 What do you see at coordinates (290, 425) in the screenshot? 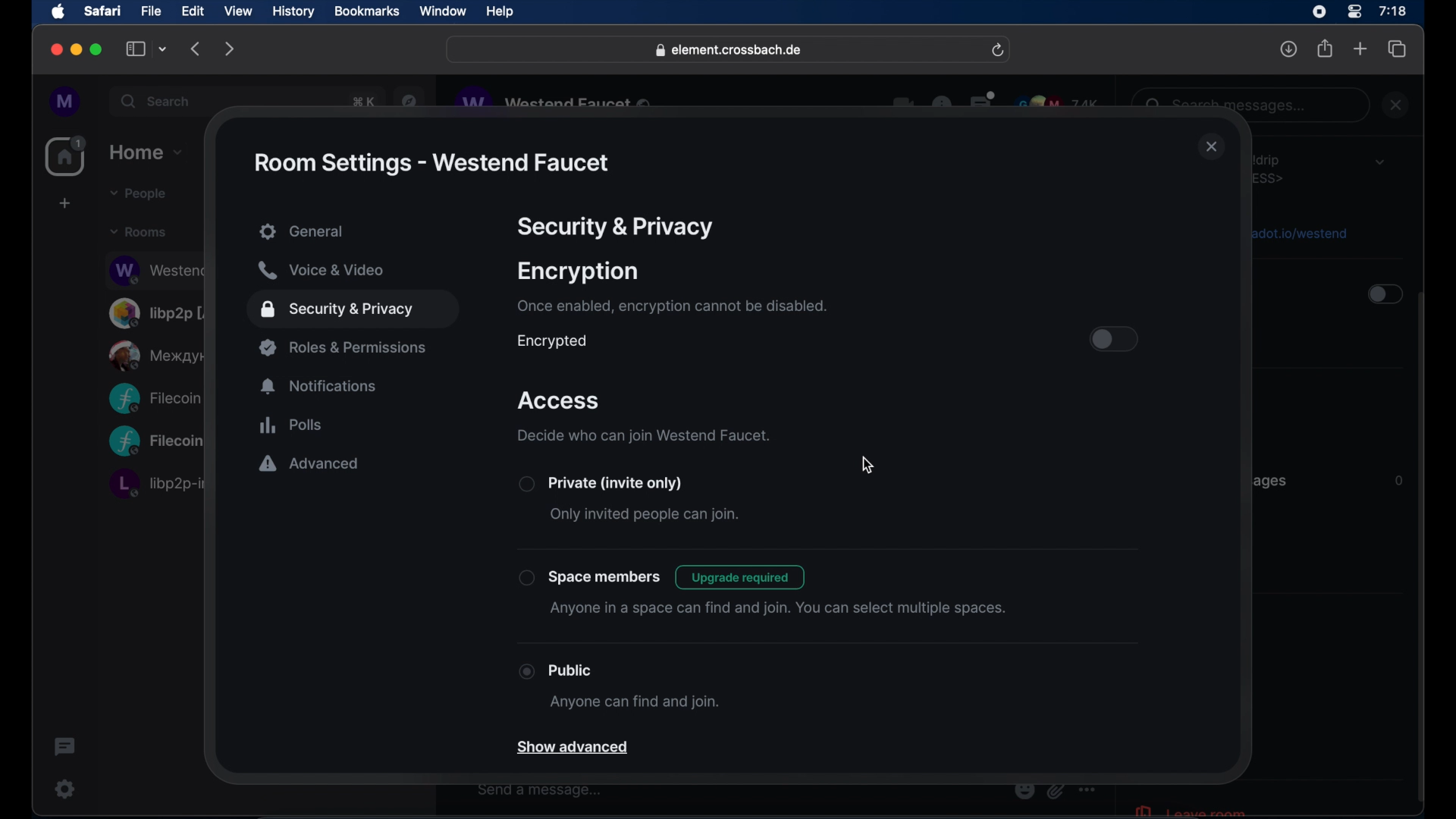
I see `polls` at bounding box center [290, 425].